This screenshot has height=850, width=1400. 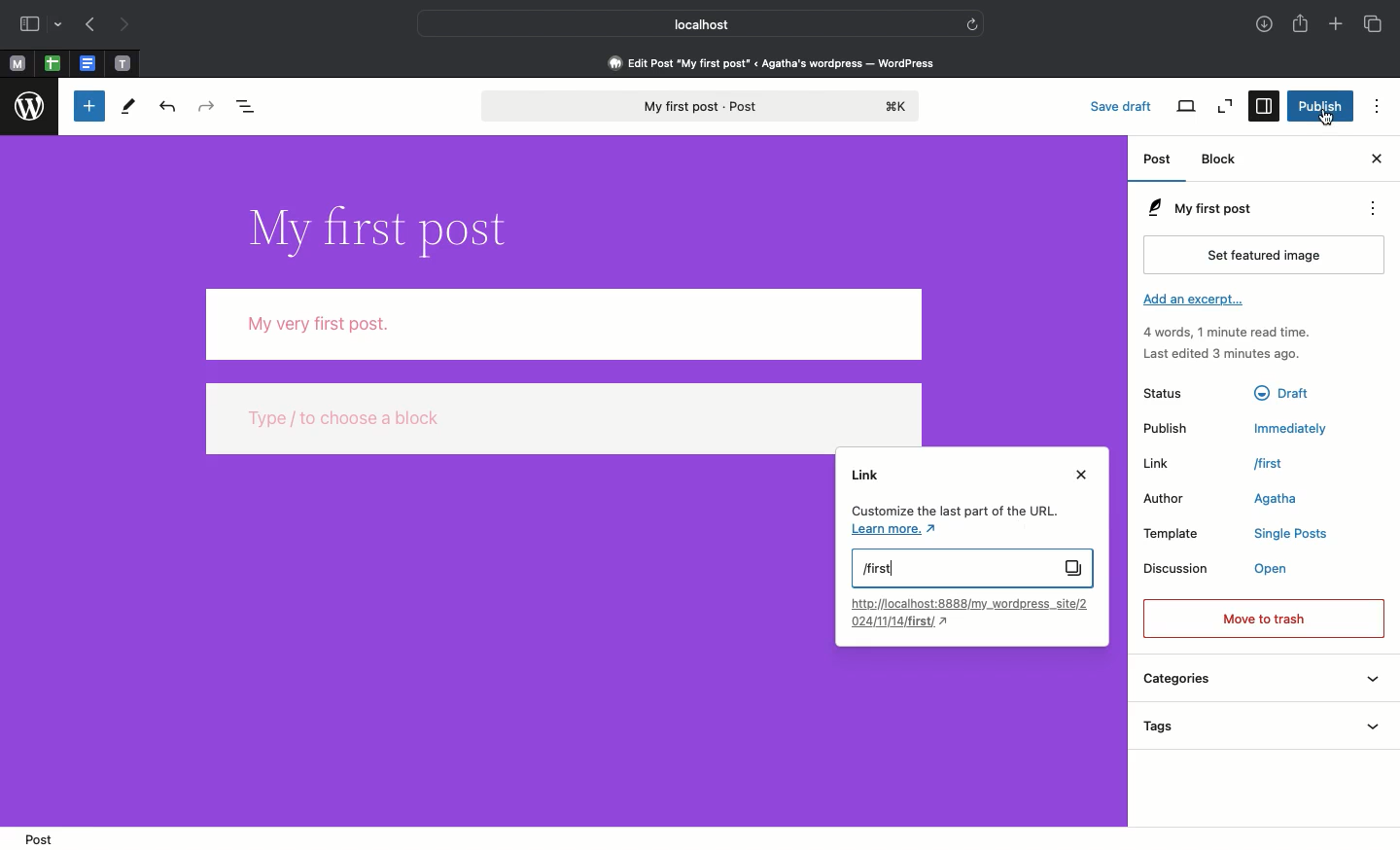 I want to click on pinned tabs, so click(x=55, y=64).